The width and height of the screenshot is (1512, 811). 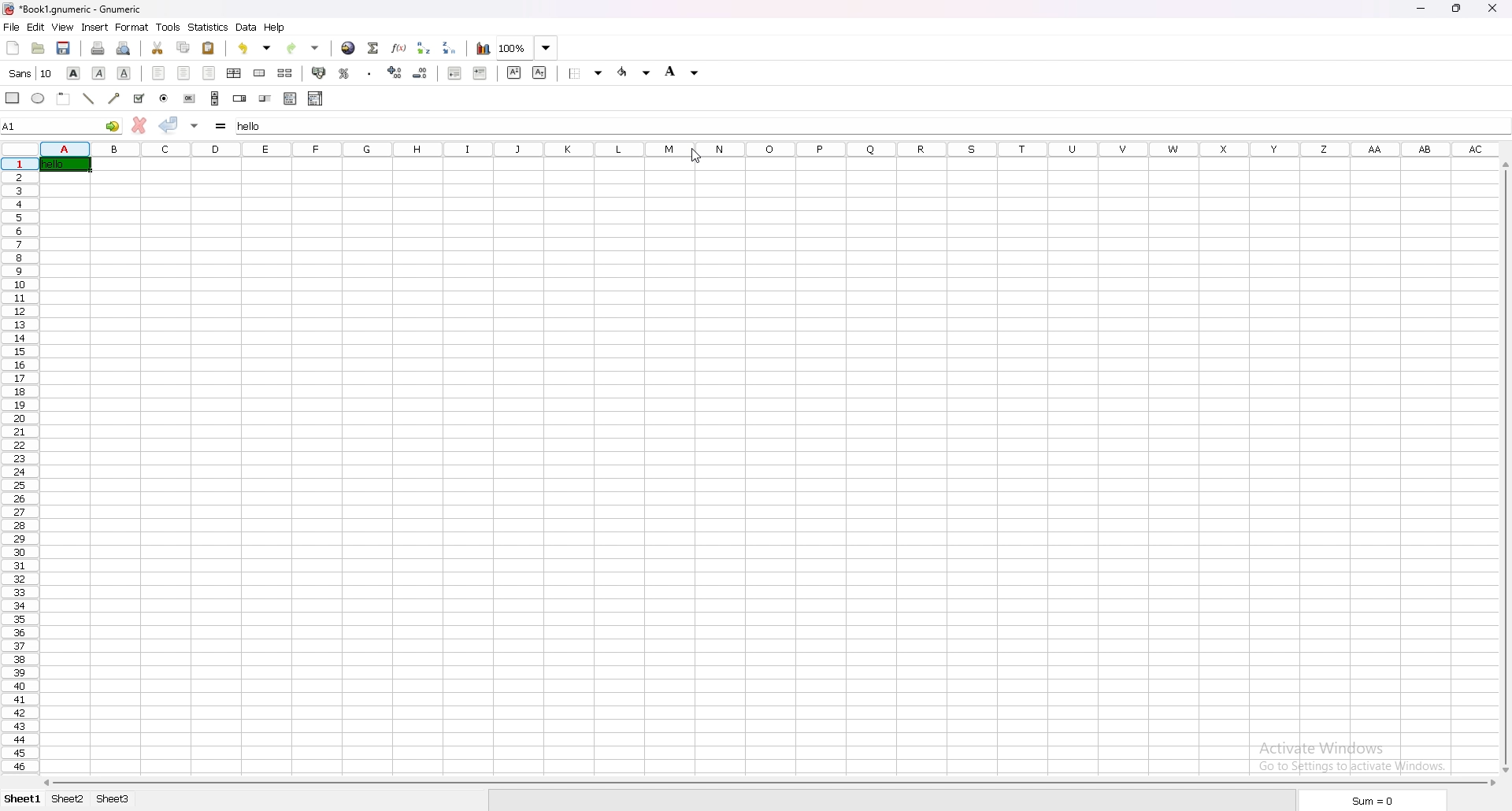 What do you see at coordinates (239, 98) in the screenshot?
I see `spin button` at bounding box center [239, 98].